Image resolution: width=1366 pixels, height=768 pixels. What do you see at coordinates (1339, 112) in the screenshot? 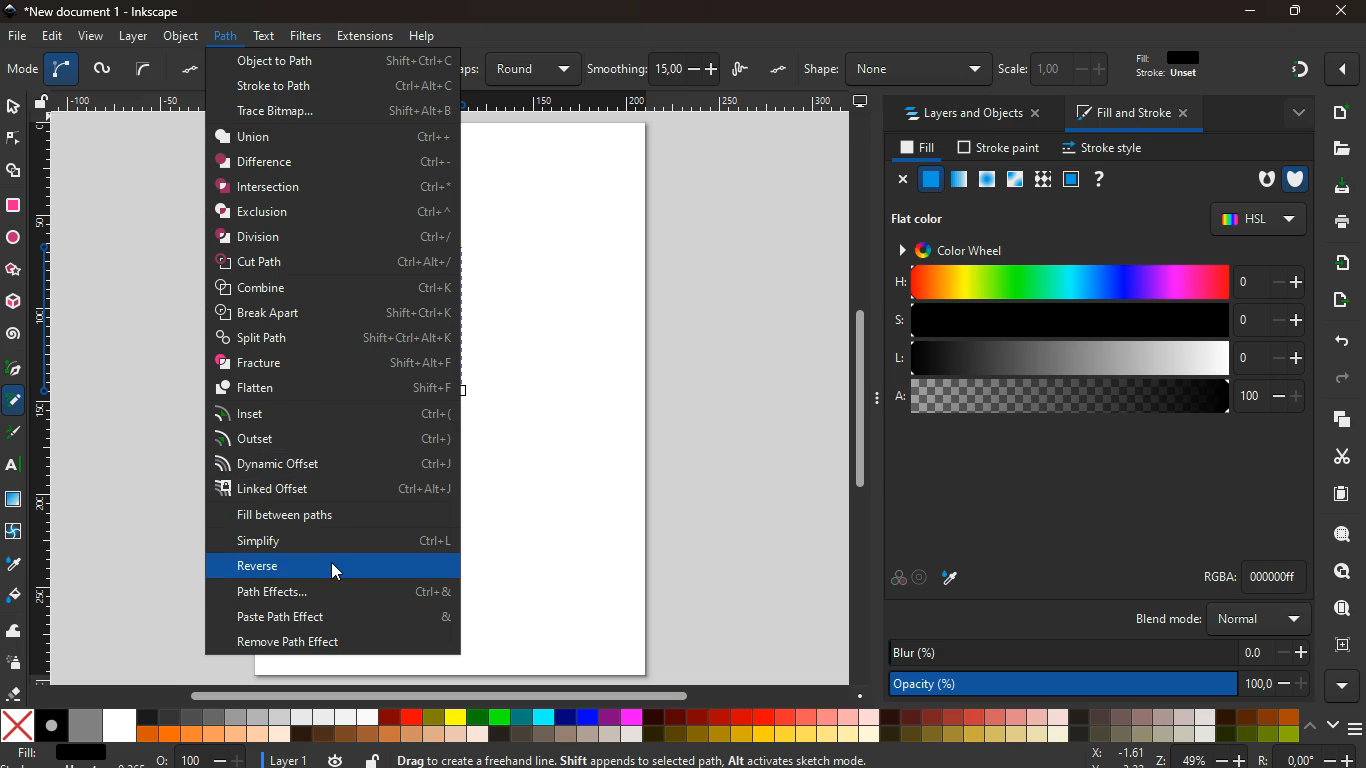
I see `document` at bounding box center [1339, 112].